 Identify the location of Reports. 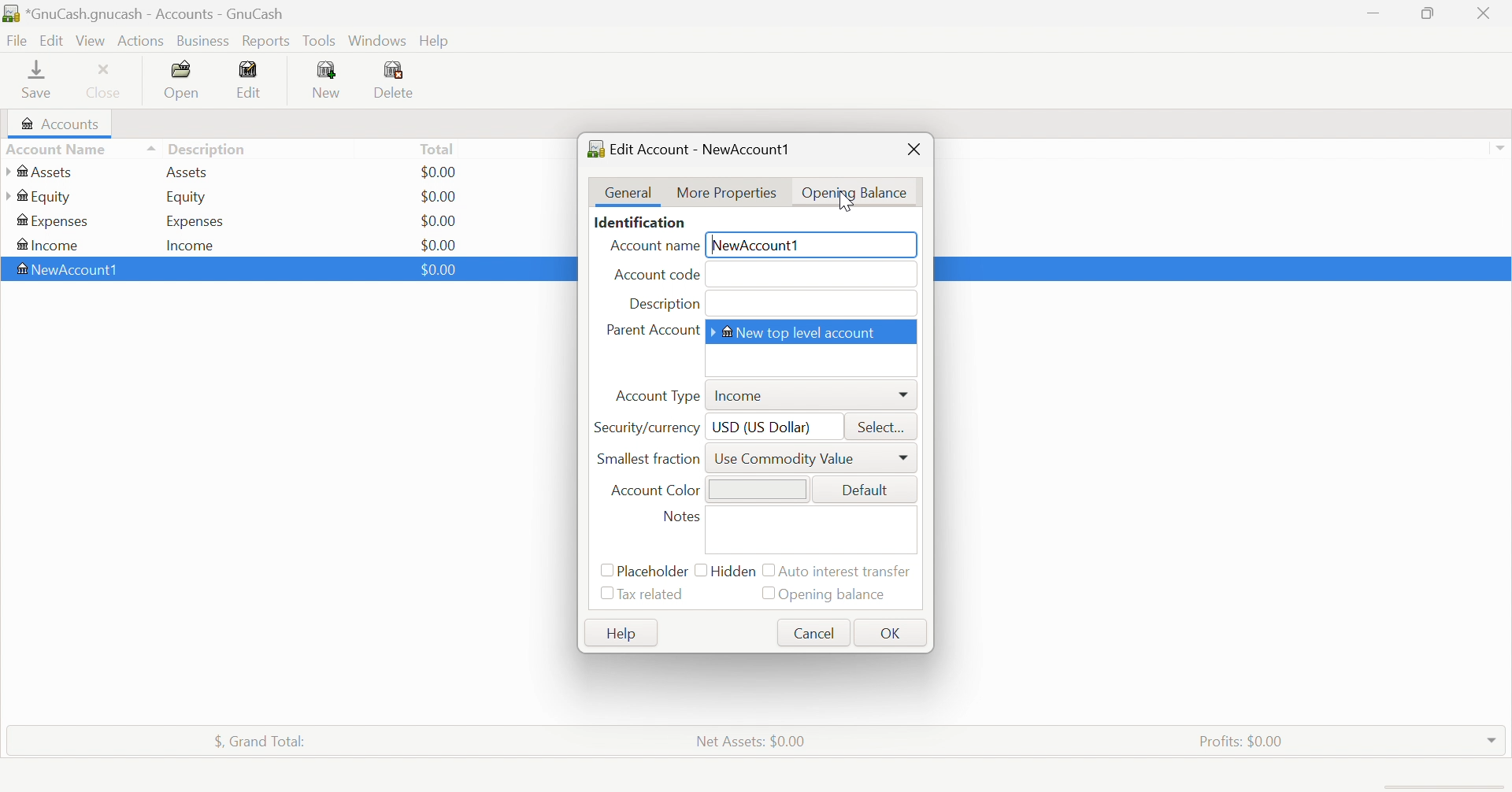
(267, 41).